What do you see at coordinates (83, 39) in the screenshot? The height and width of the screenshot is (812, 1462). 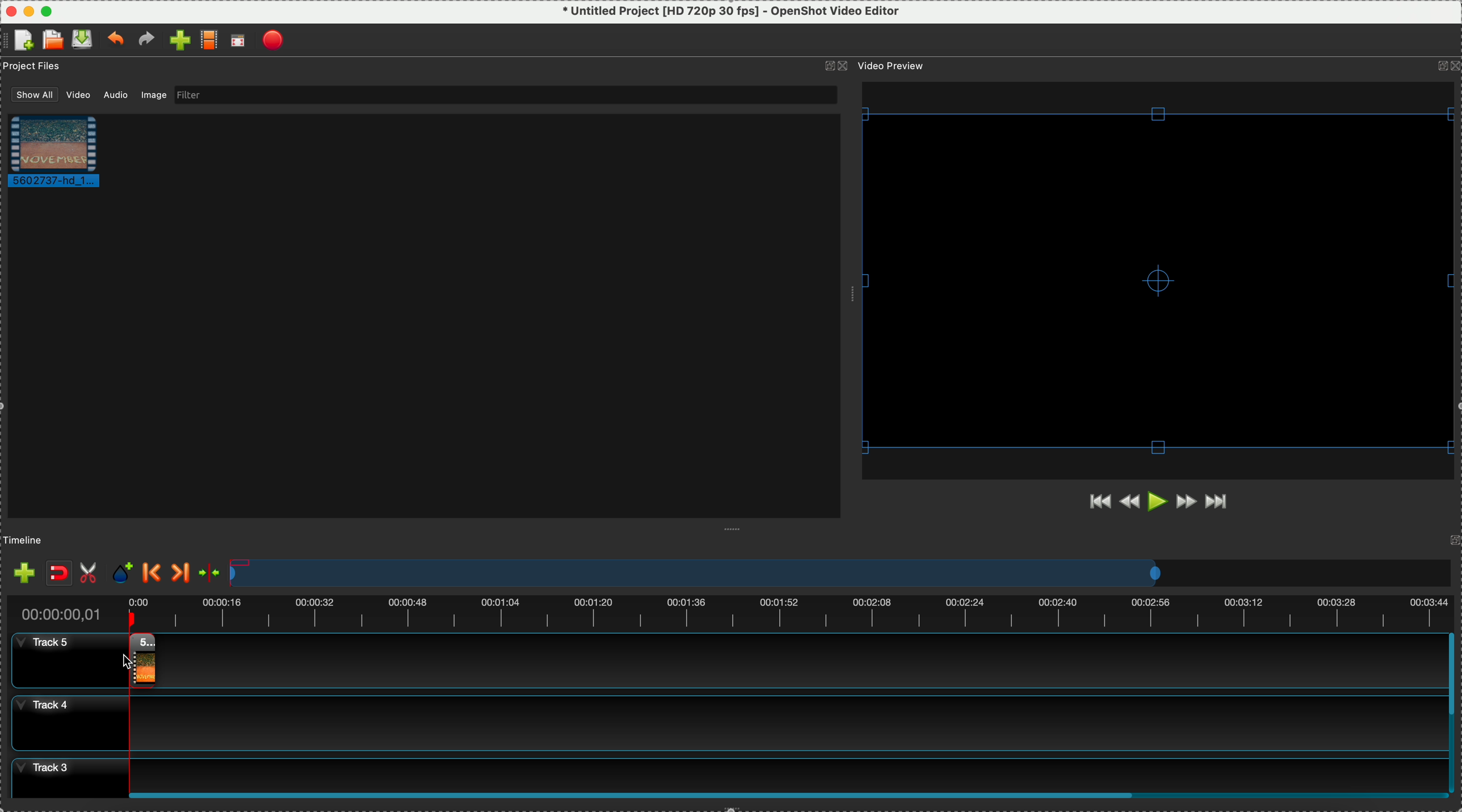 I see `save file` at bounding box center [83, 39].